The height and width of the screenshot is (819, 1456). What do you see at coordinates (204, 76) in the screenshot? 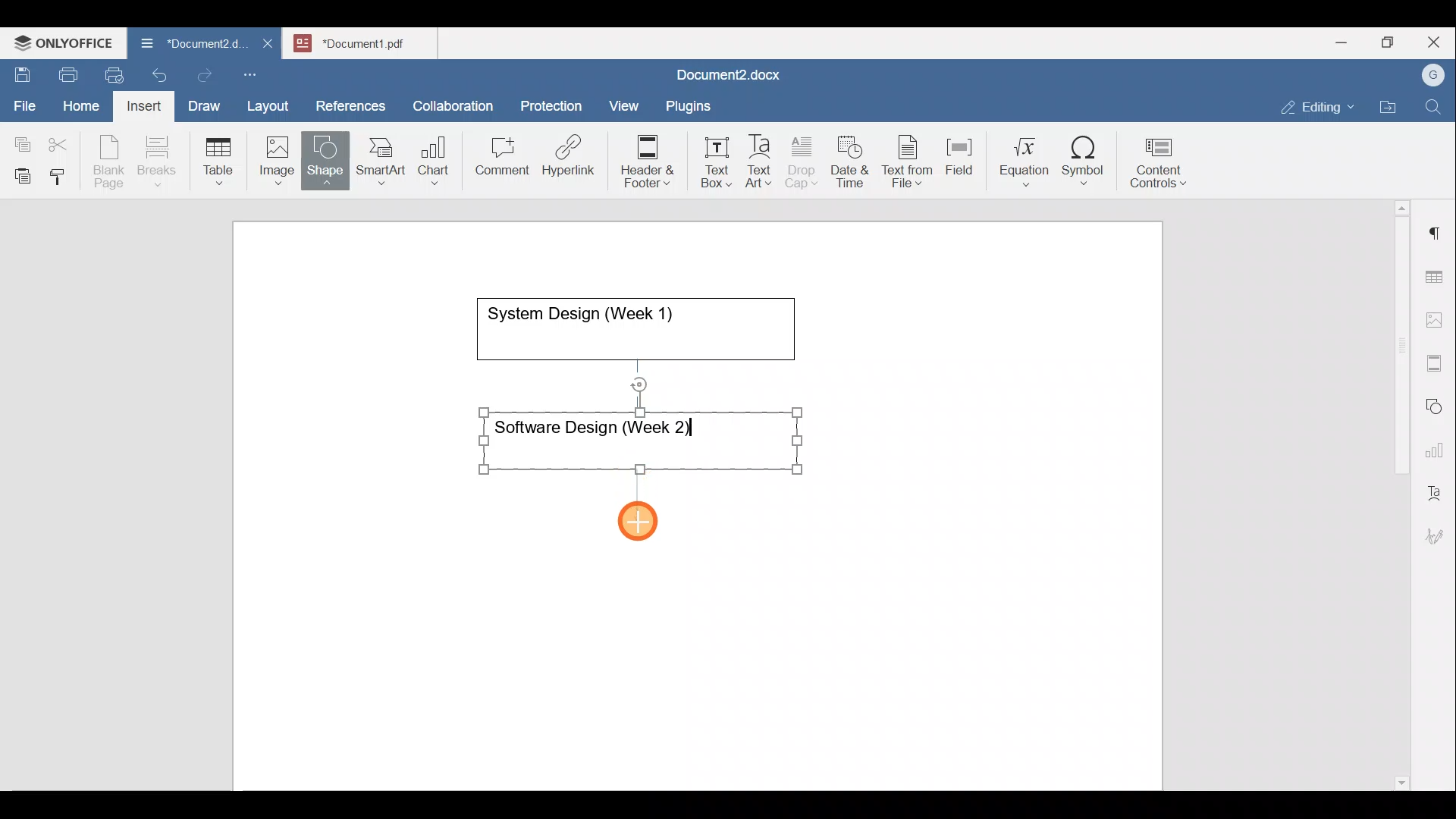
I see `Redo` at bounding box center [204, 76].